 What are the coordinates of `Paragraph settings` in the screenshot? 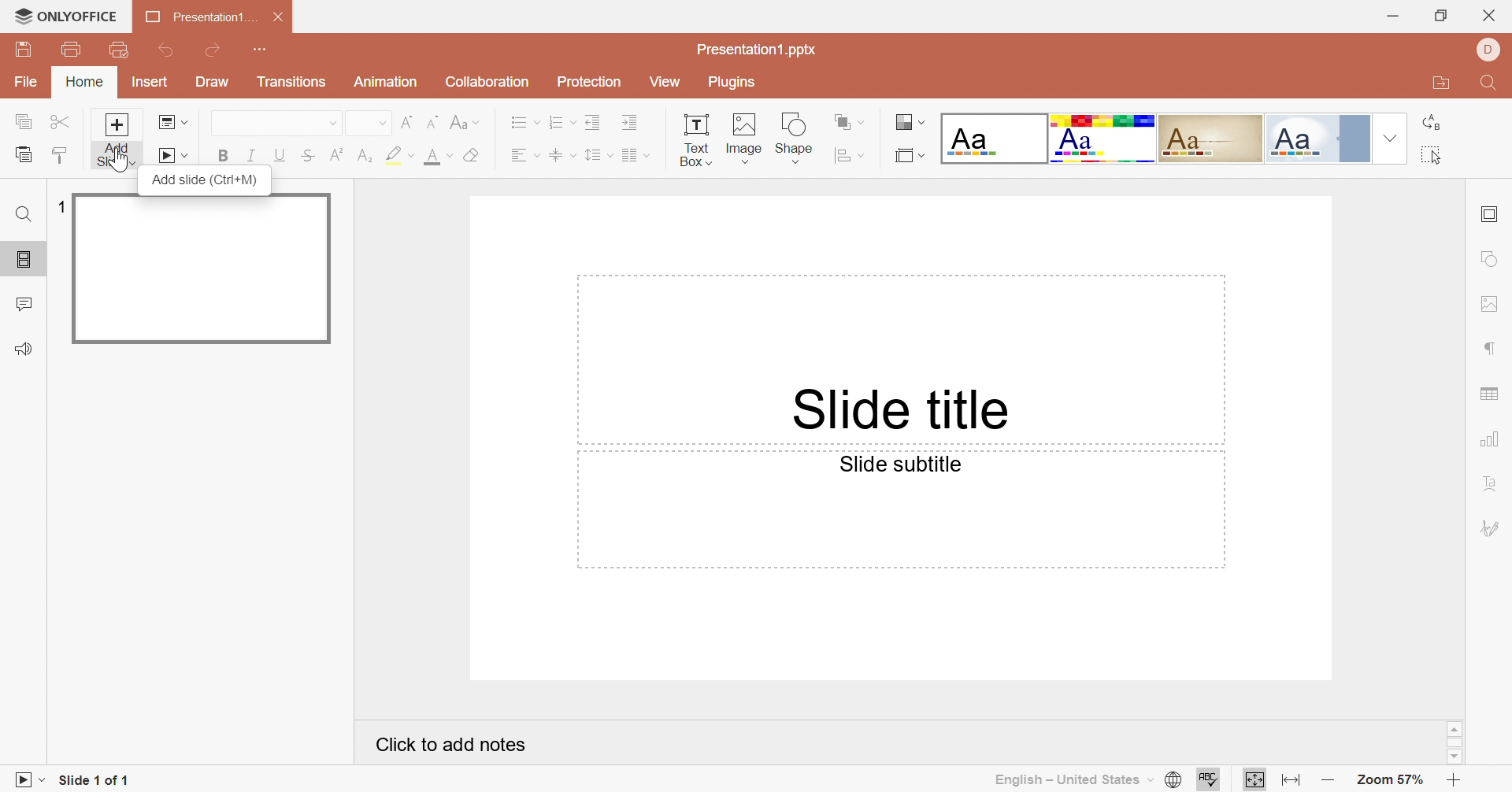 It's located at (1488, 350).